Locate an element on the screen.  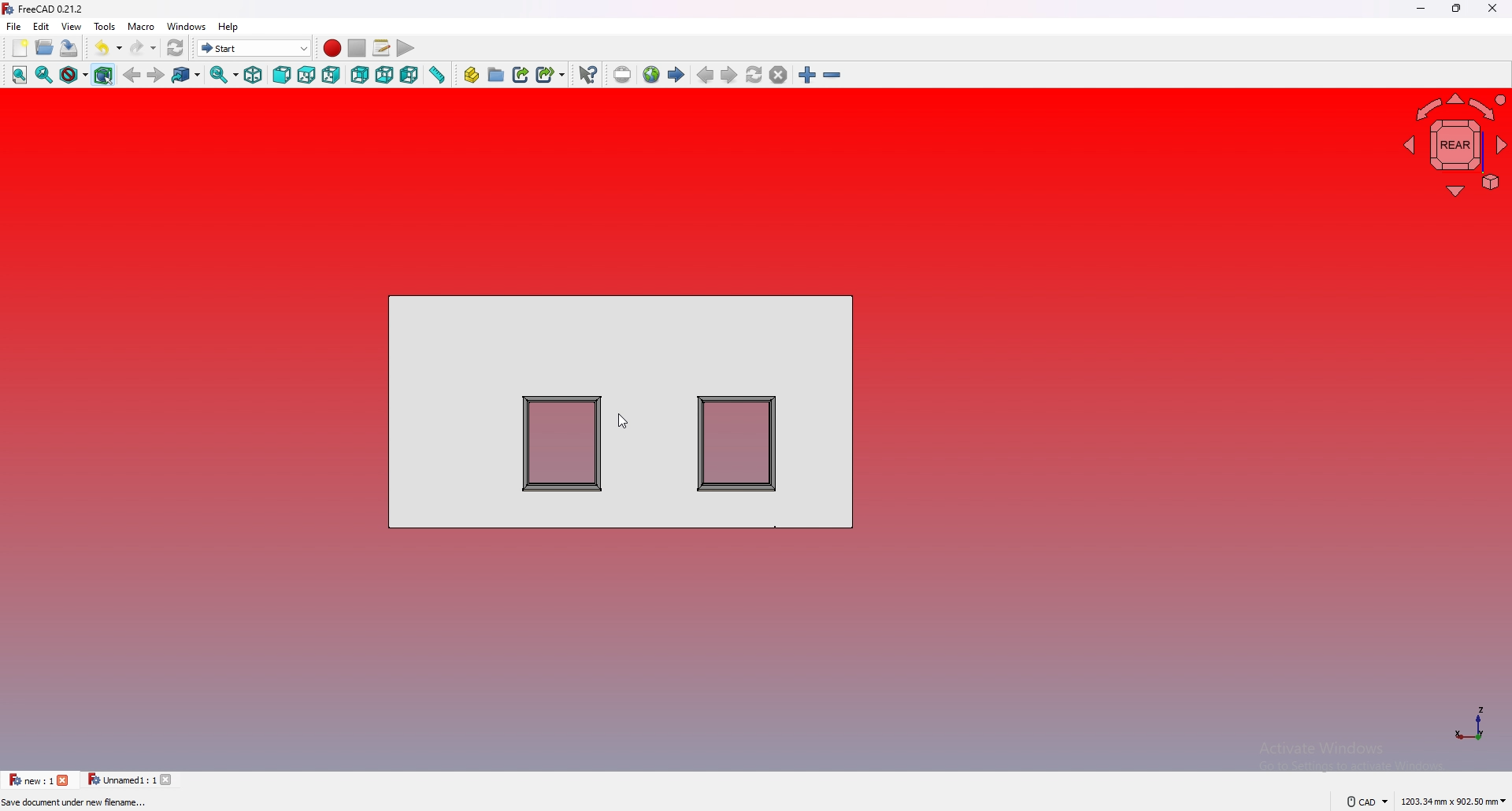
switch between workbenches is located at coordinates (254, 48).